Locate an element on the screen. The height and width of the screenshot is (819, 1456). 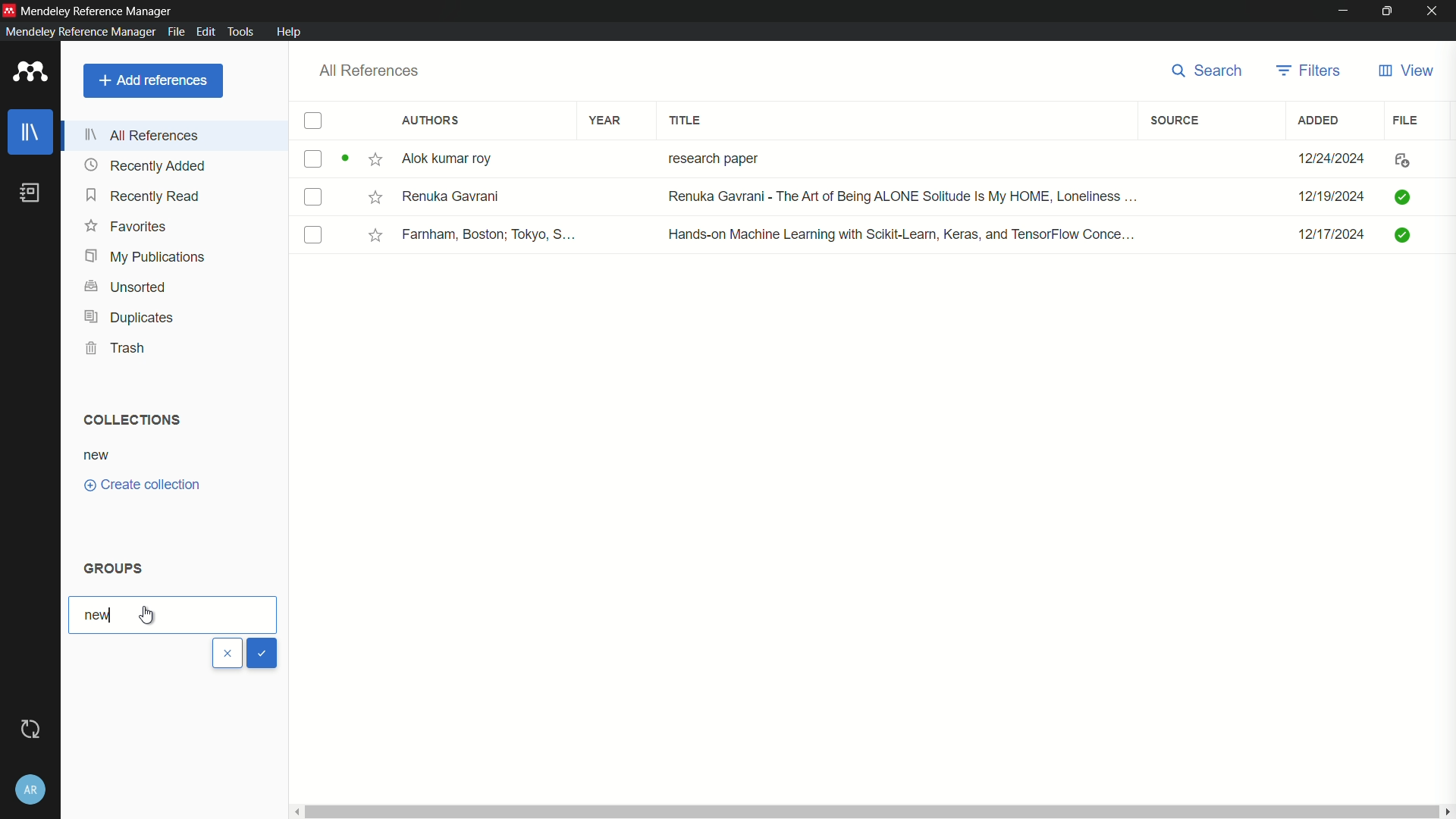
Alok Kumar Rou is located at coordinates (452, 160).